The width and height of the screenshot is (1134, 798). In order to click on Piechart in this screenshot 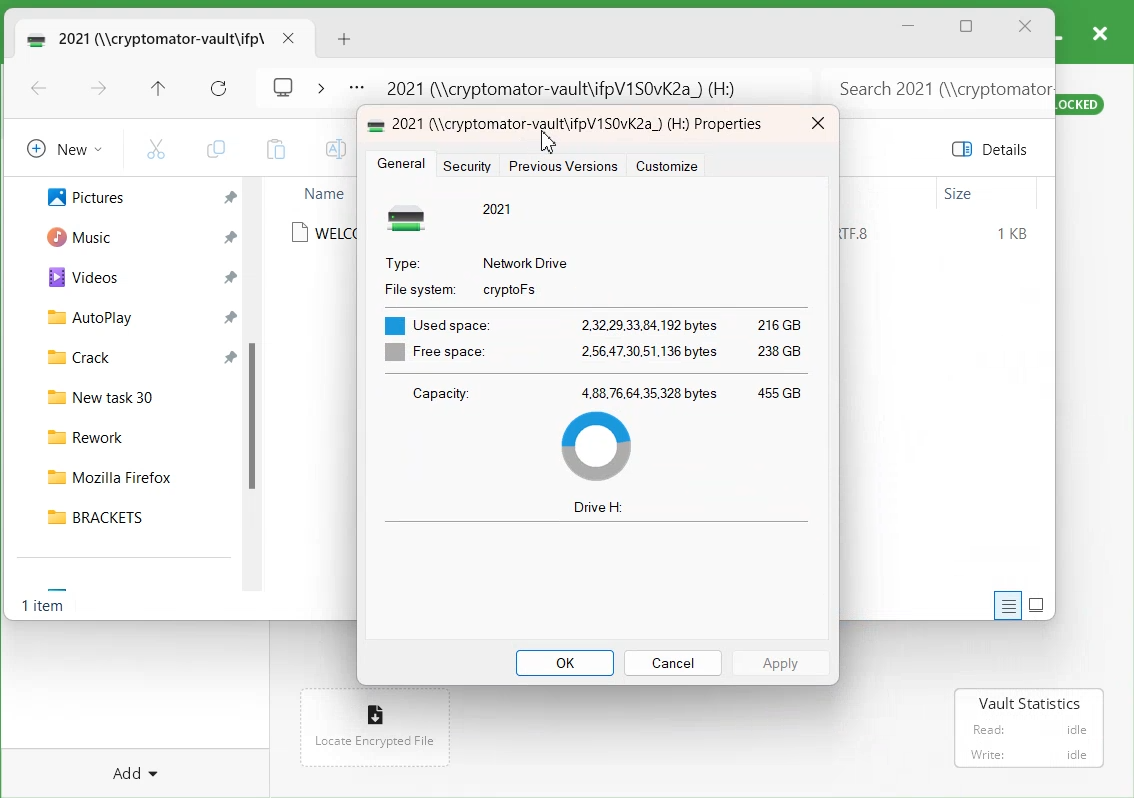, I will do `click(596, 446)`.